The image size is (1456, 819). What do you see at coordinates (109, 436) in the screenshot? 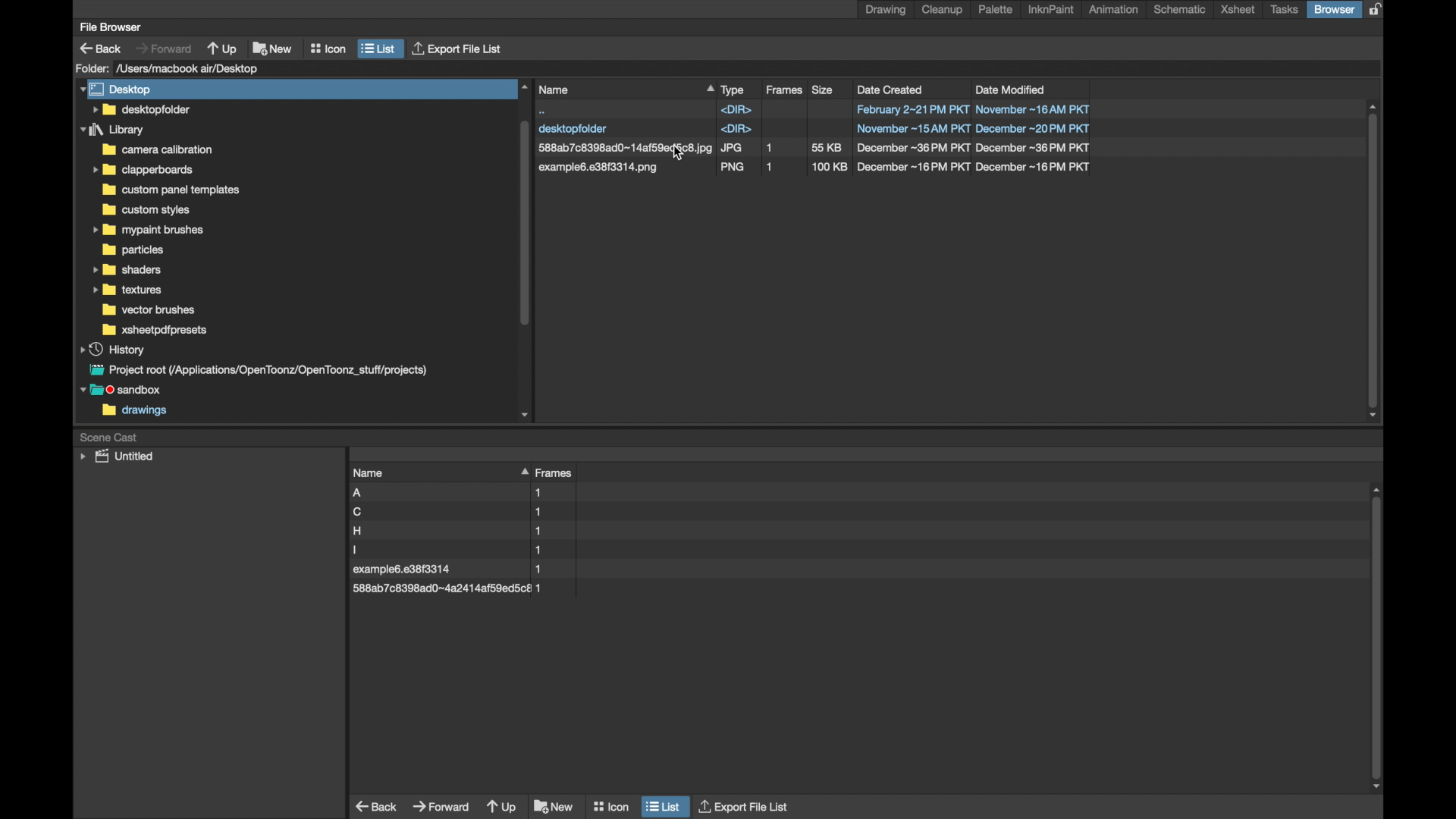
I see `scene cast` at bounding box center [109, 436].